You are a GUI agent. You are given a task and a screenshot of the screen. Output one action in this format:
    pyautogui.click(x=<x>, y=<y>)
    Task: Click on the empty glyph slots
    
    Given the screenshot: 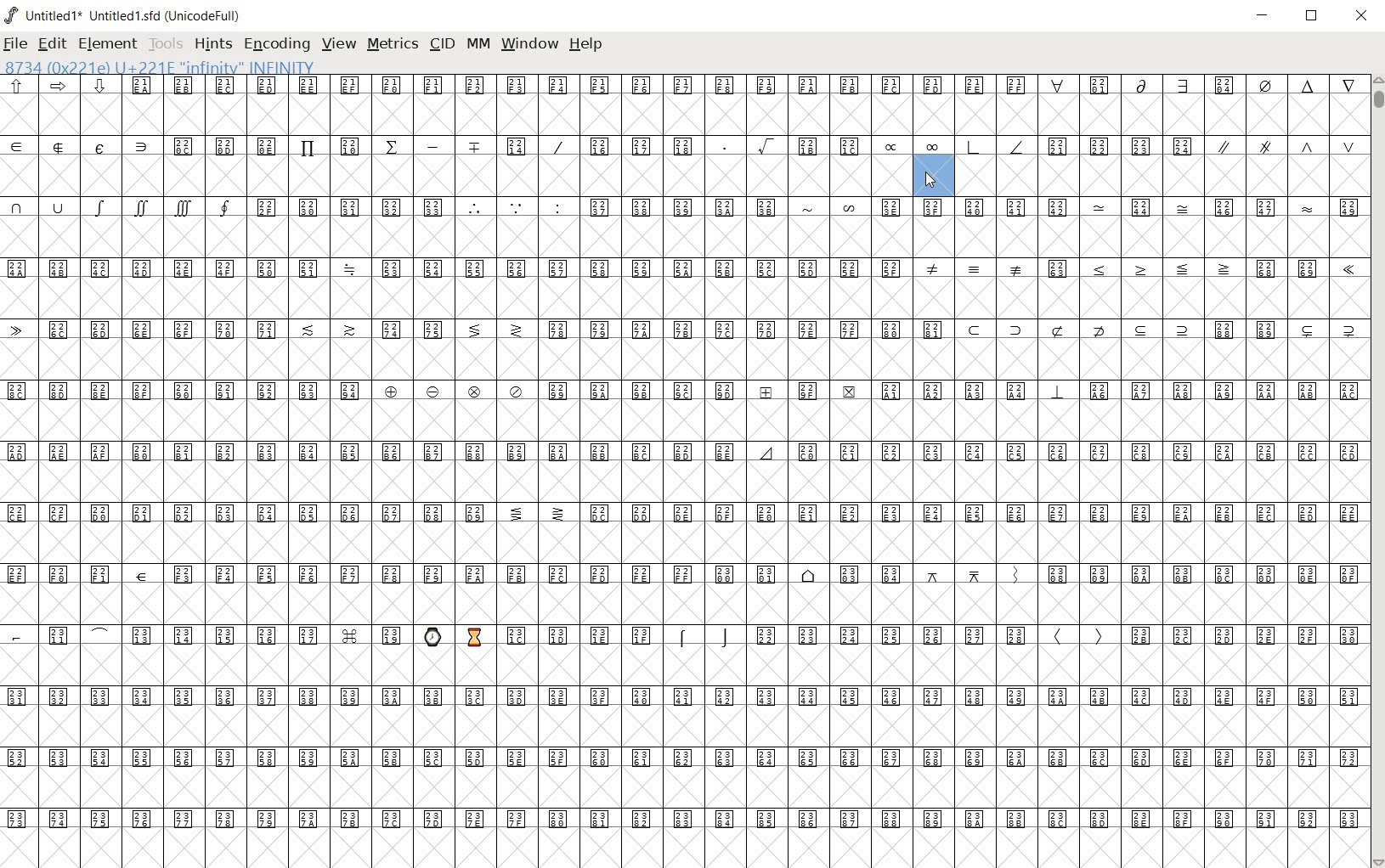 What is the action you would take?
    pyautogui.click(x=682, y=114)
    